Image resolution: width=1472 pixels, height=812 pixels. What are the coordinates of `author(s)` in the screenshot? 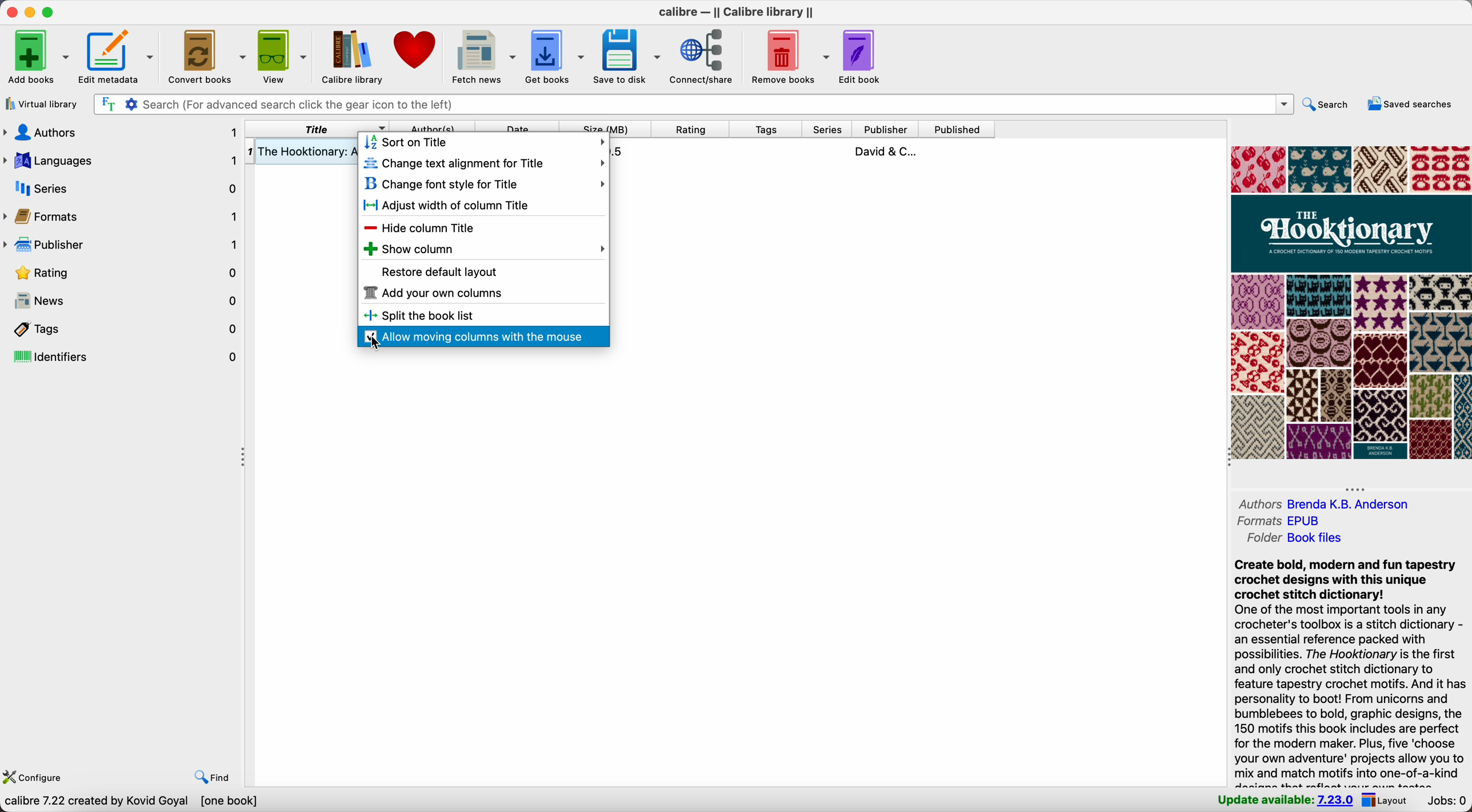 It's located at (431, 126).